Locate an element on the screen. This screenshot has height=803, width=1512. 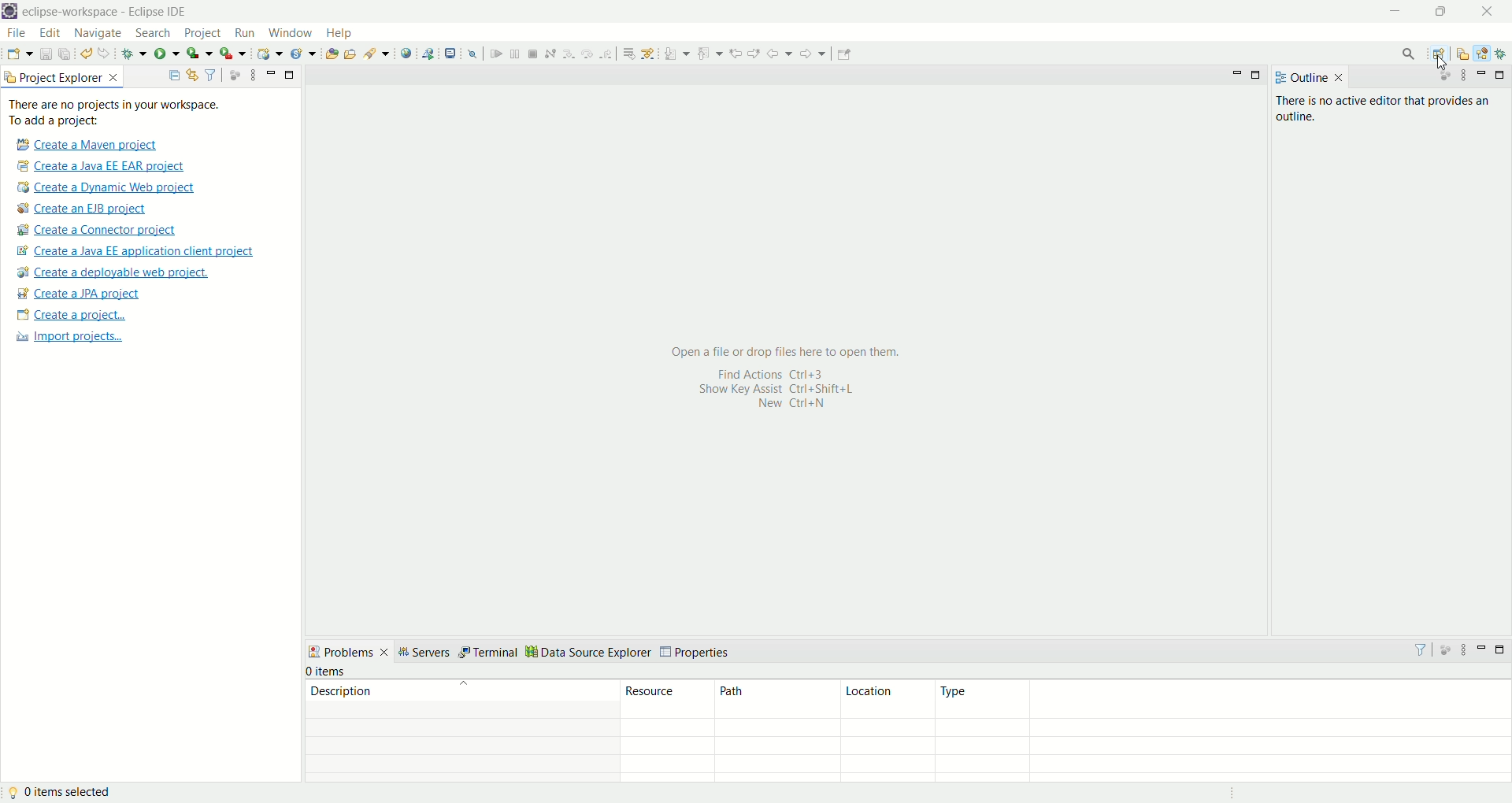
create a Java EE is located at coordinates (143, 252).